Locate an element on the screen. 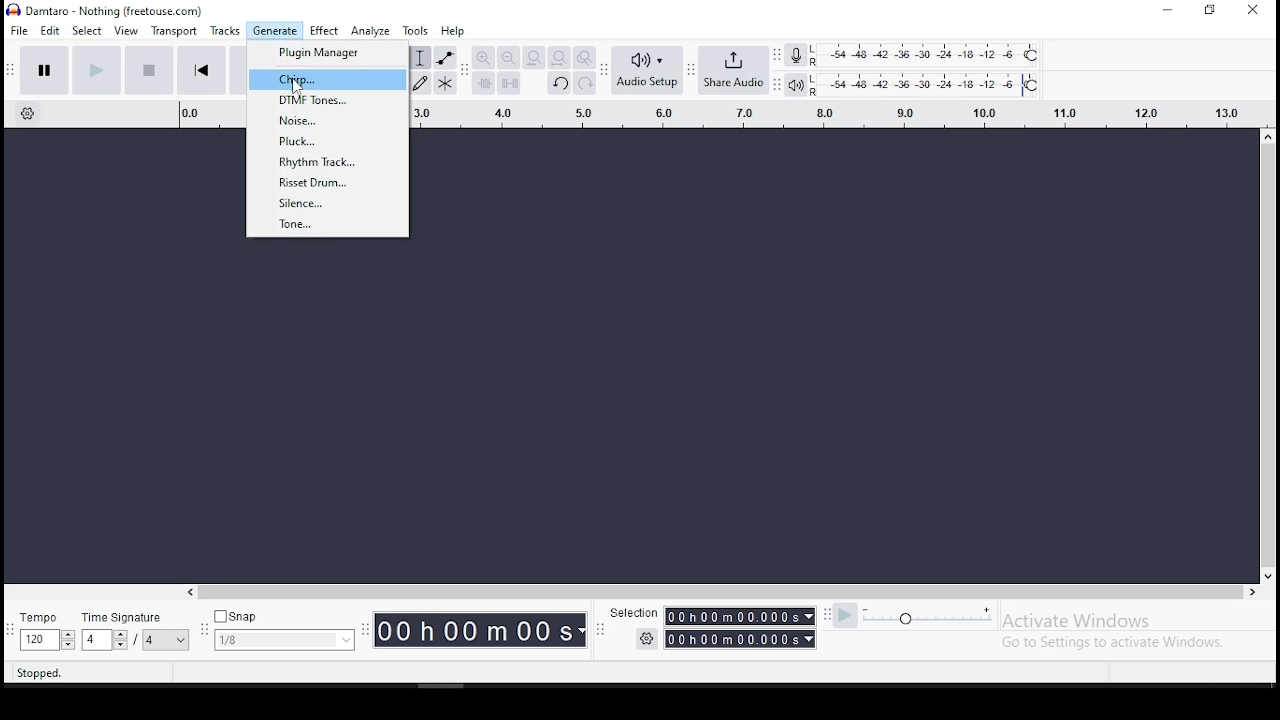 This screenshot has height=720, width=1280. activate windows is located at coordinates (1128, 630).